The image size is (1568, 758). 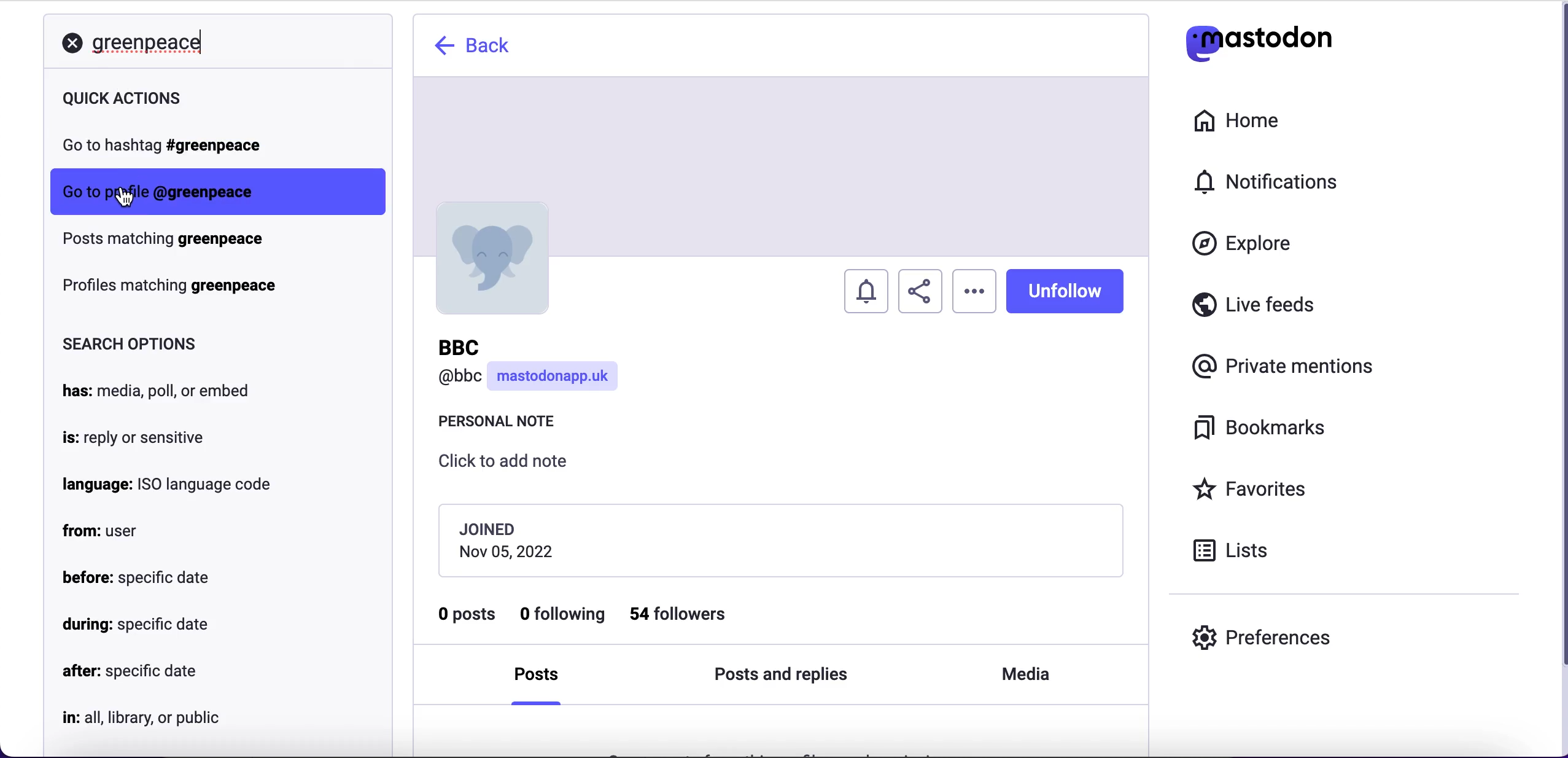 What do you see at coordinates (130, 345) in the screenshot?
I see `search options` at bounding box center [130, 345].